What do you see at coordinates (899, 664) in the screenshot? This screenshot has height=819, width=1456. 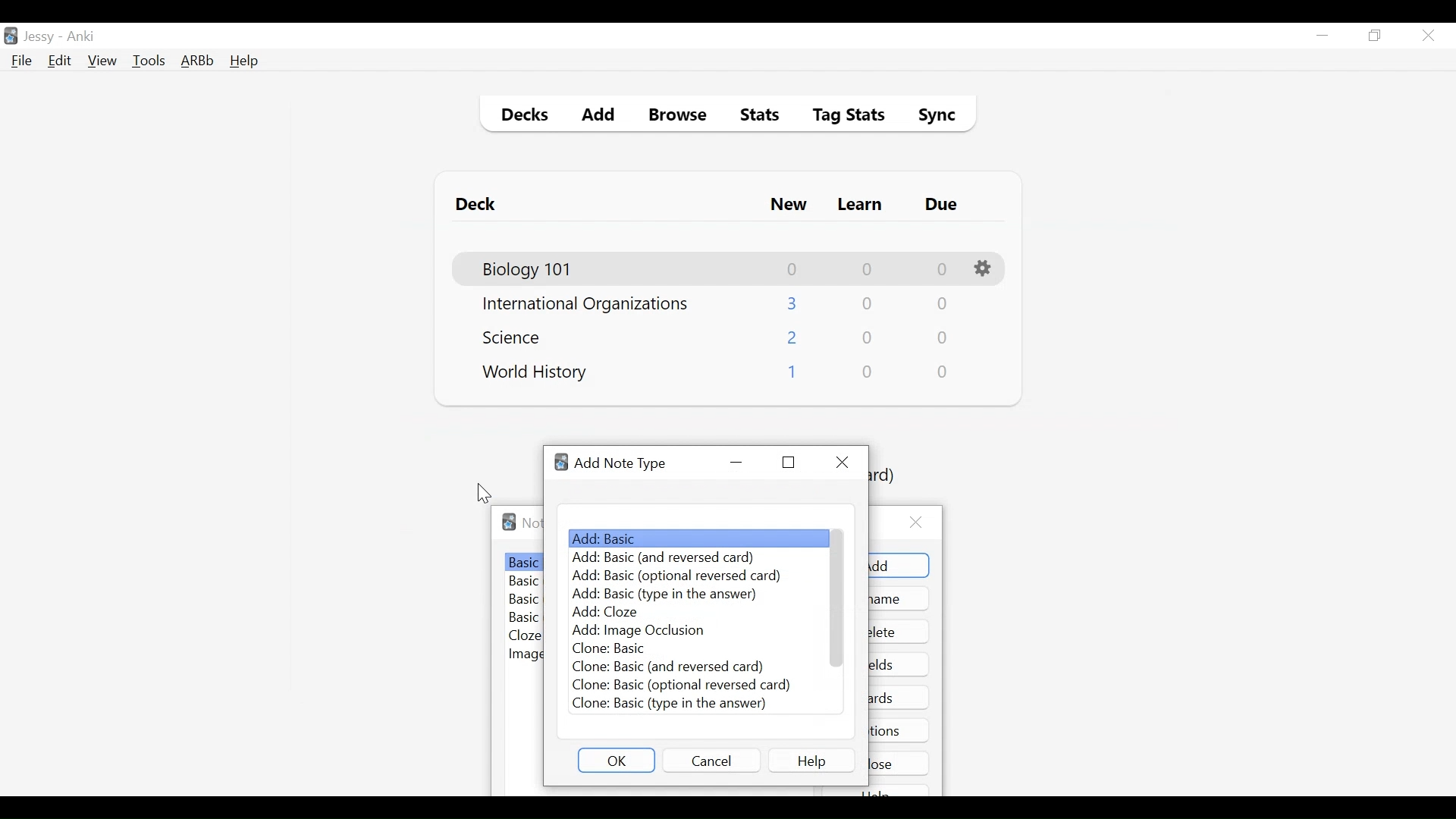 I see `Fields` at bounding box center [899, 664].